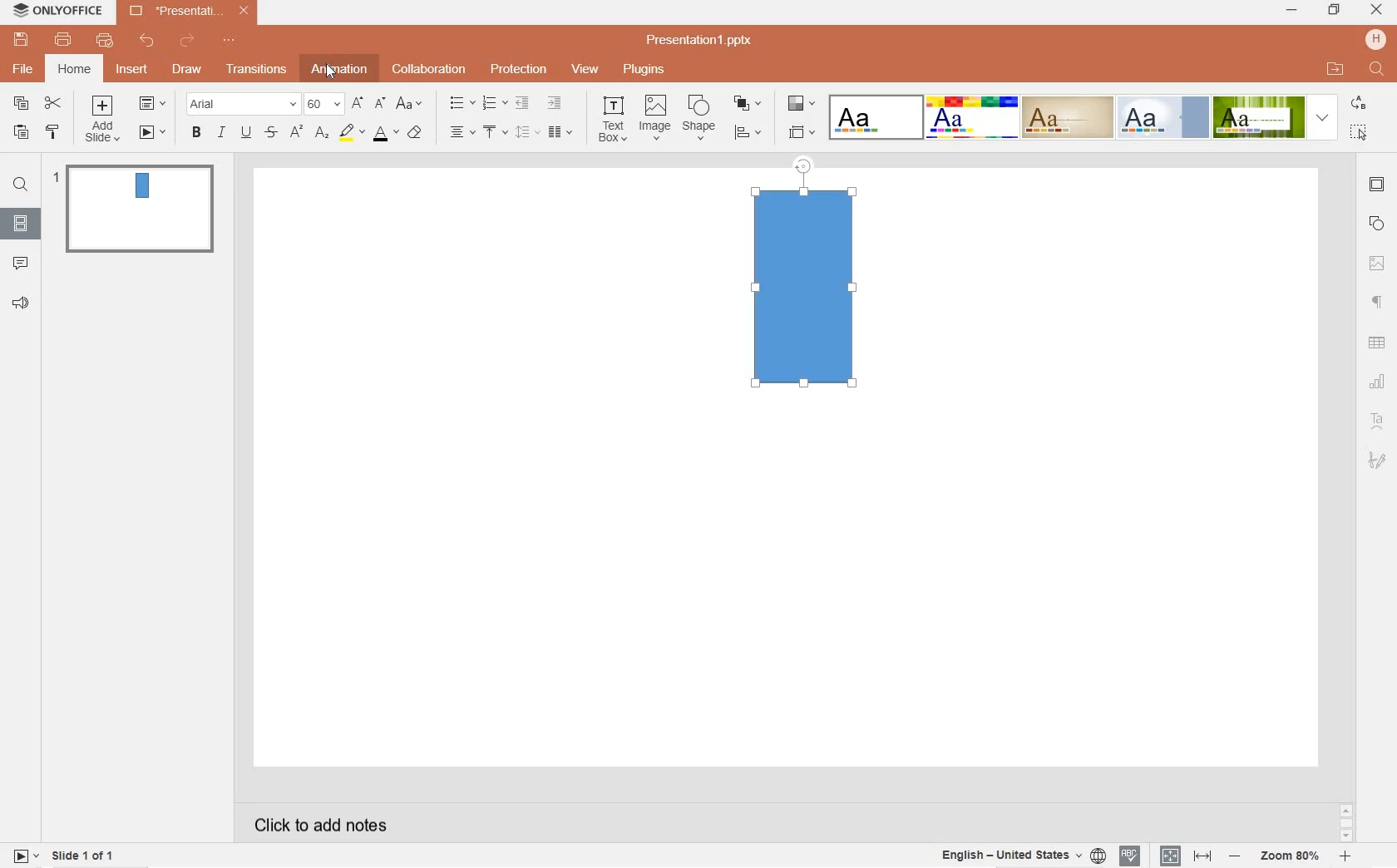 This screenshot has width=1397, height=868. I want to click on save, so click(21, 40).